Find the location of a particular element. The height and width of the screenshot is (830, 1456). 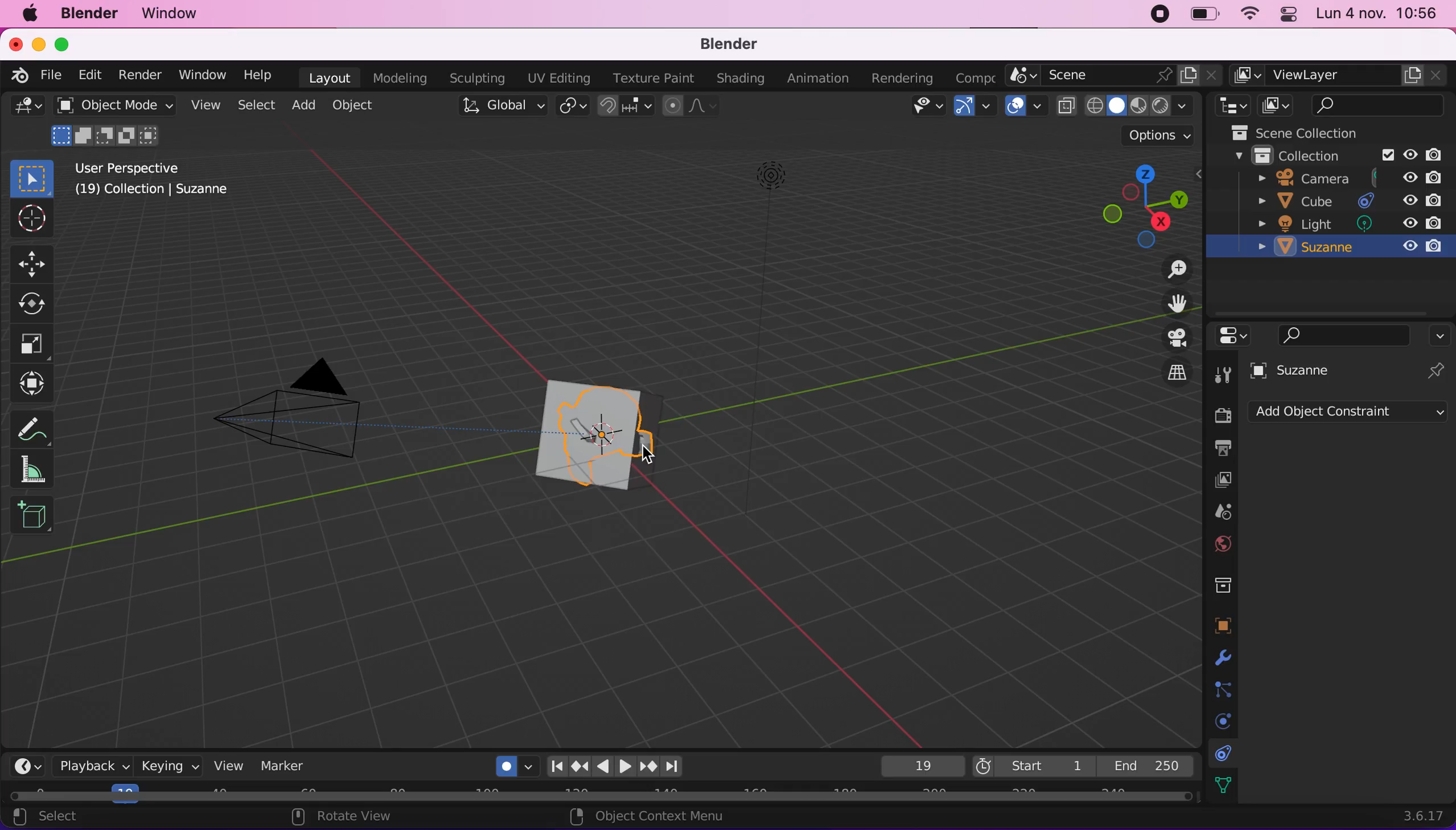

move is located at coordinates (32, 262).